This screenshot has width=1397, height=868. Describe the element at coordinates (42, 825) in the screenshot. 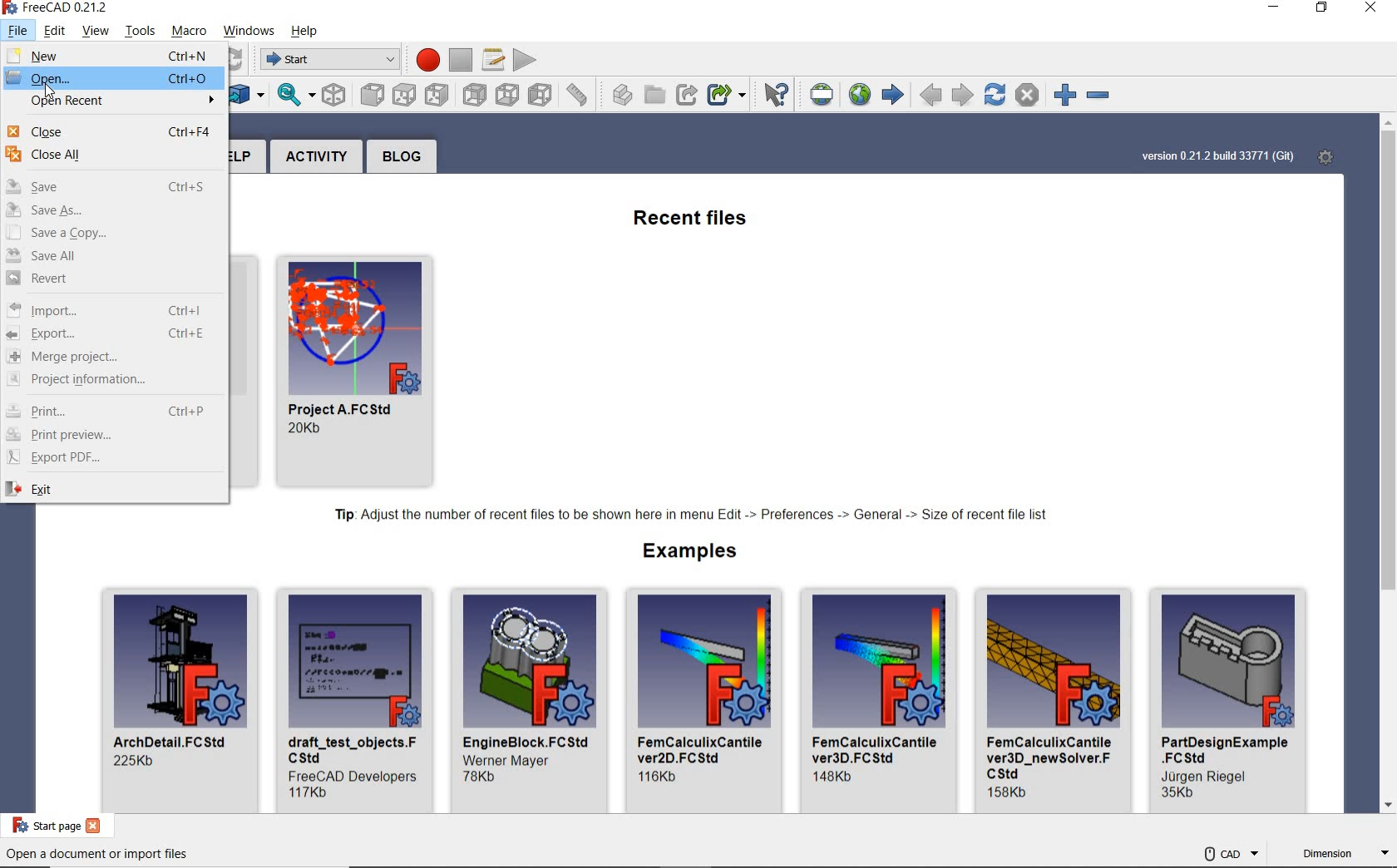

I see `START PAGE` at that location.